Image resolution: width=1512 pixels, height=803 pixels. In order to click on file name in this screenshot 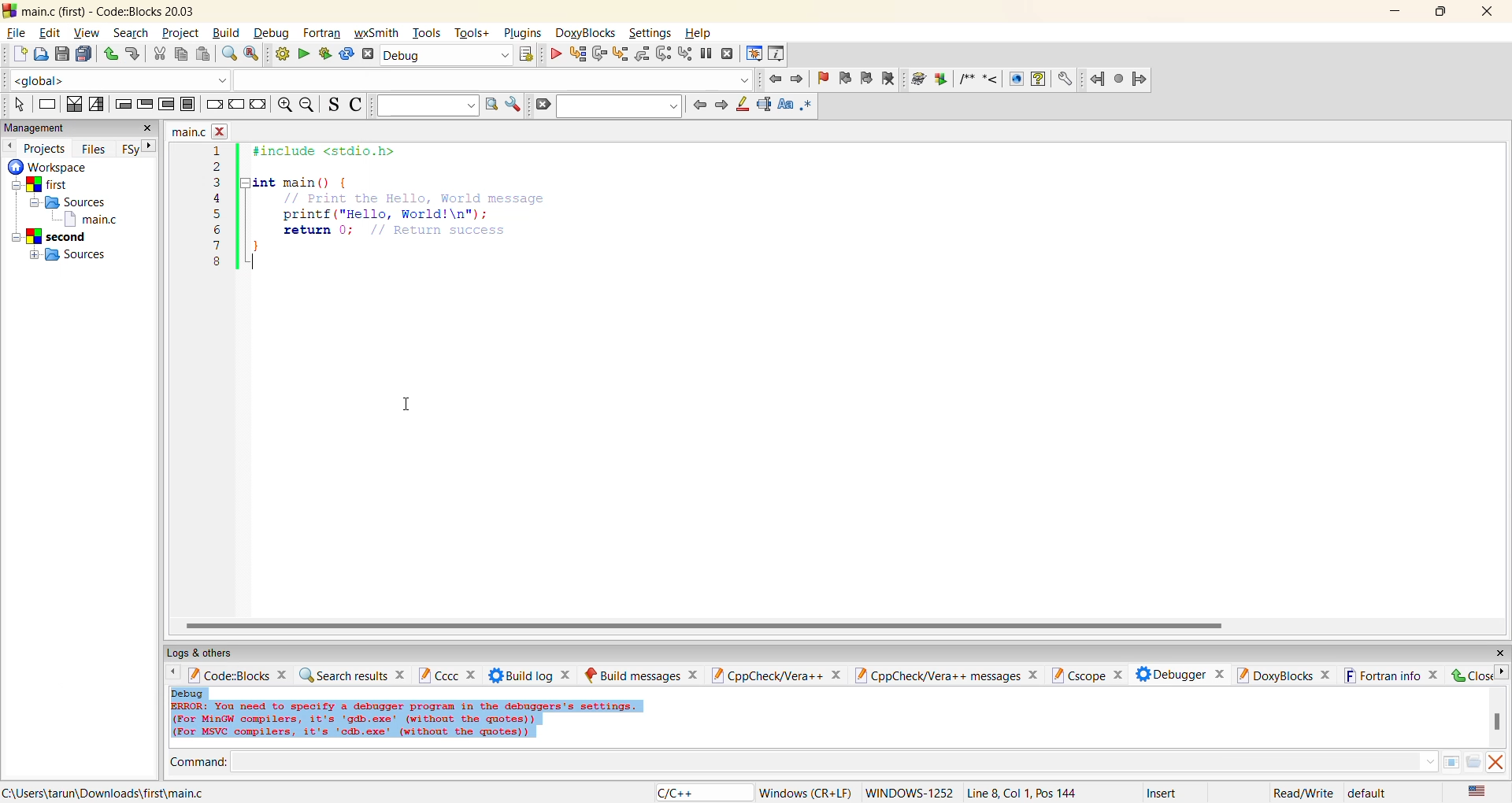, I will do `click(198, 131)`.